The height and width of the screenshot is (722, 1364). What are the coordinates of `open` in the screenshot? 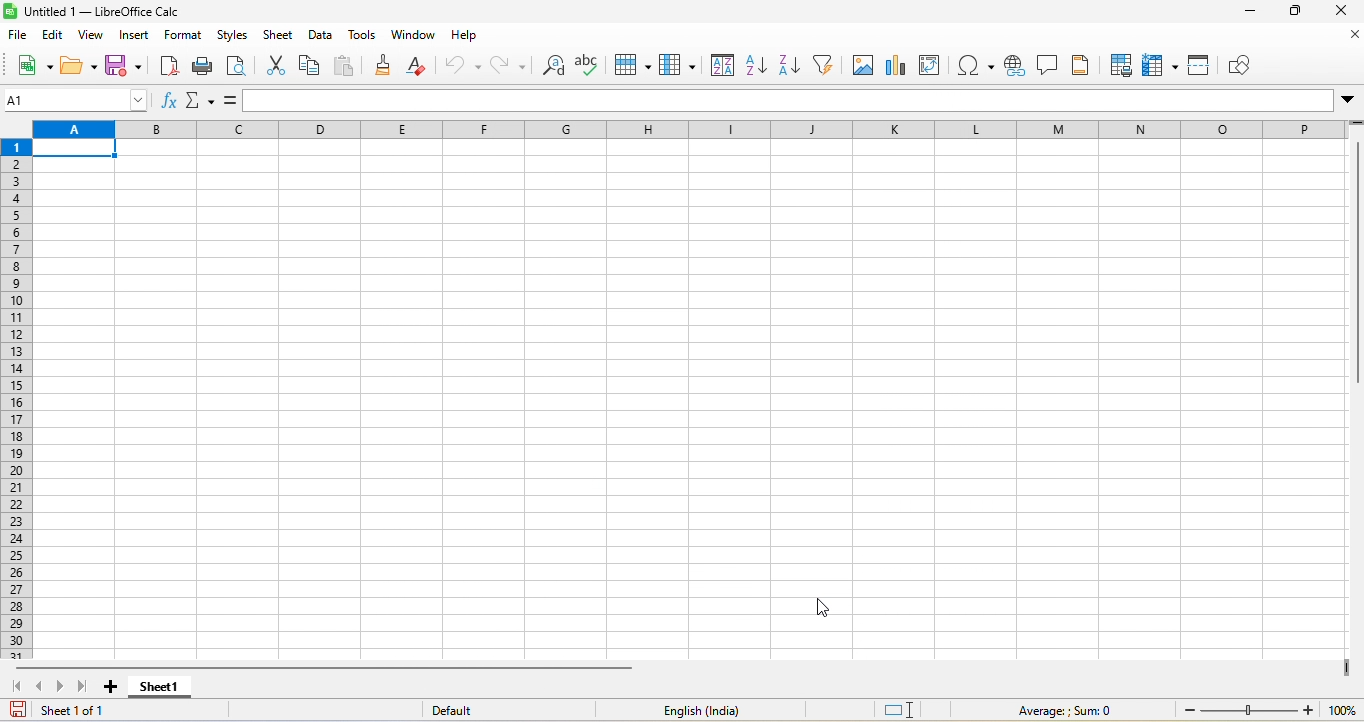 It's located at (75, 65).